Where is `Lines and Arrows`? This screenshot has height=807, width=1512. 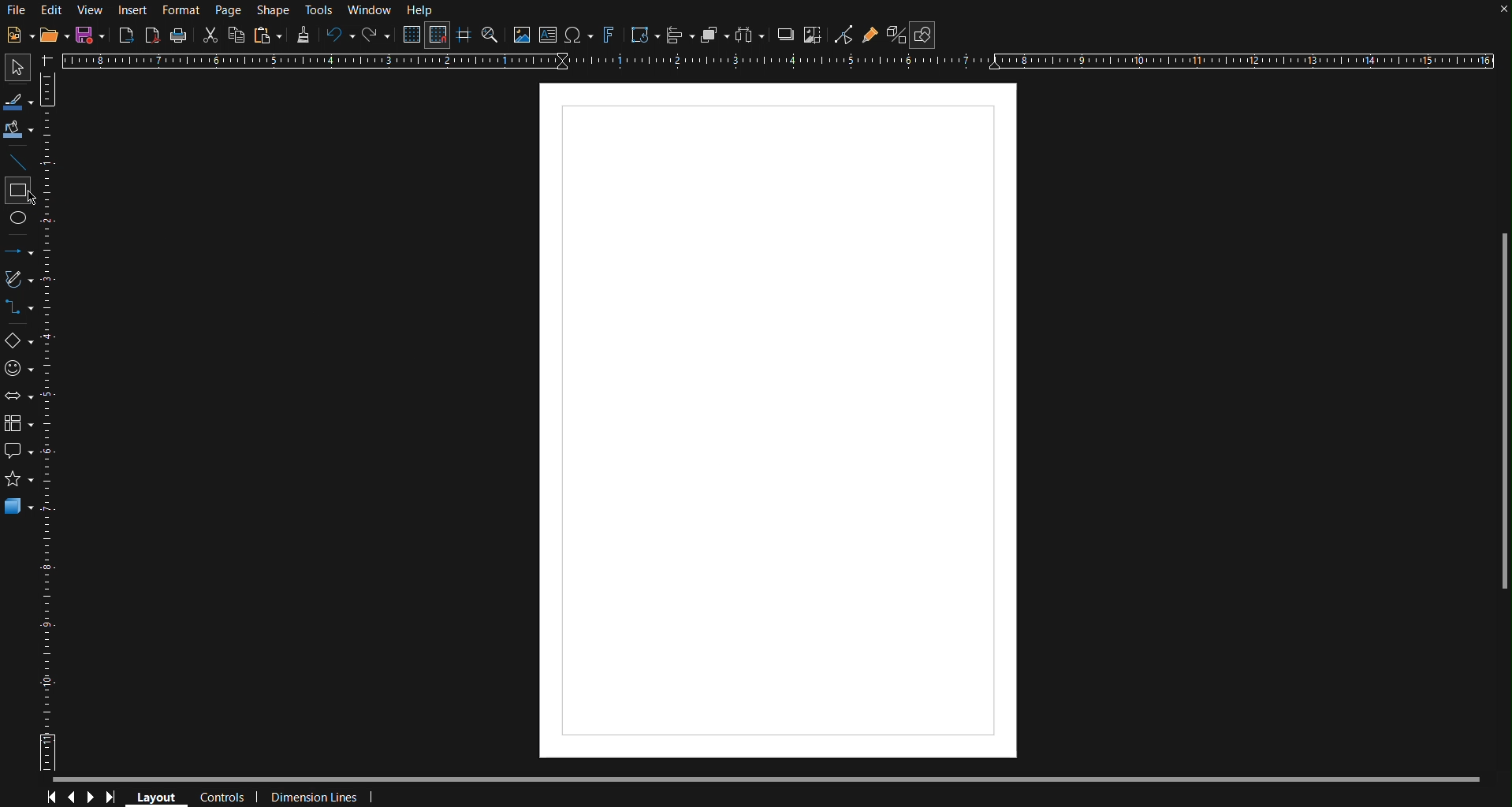 Lines and Arrows is located at coordinates (20, 251).